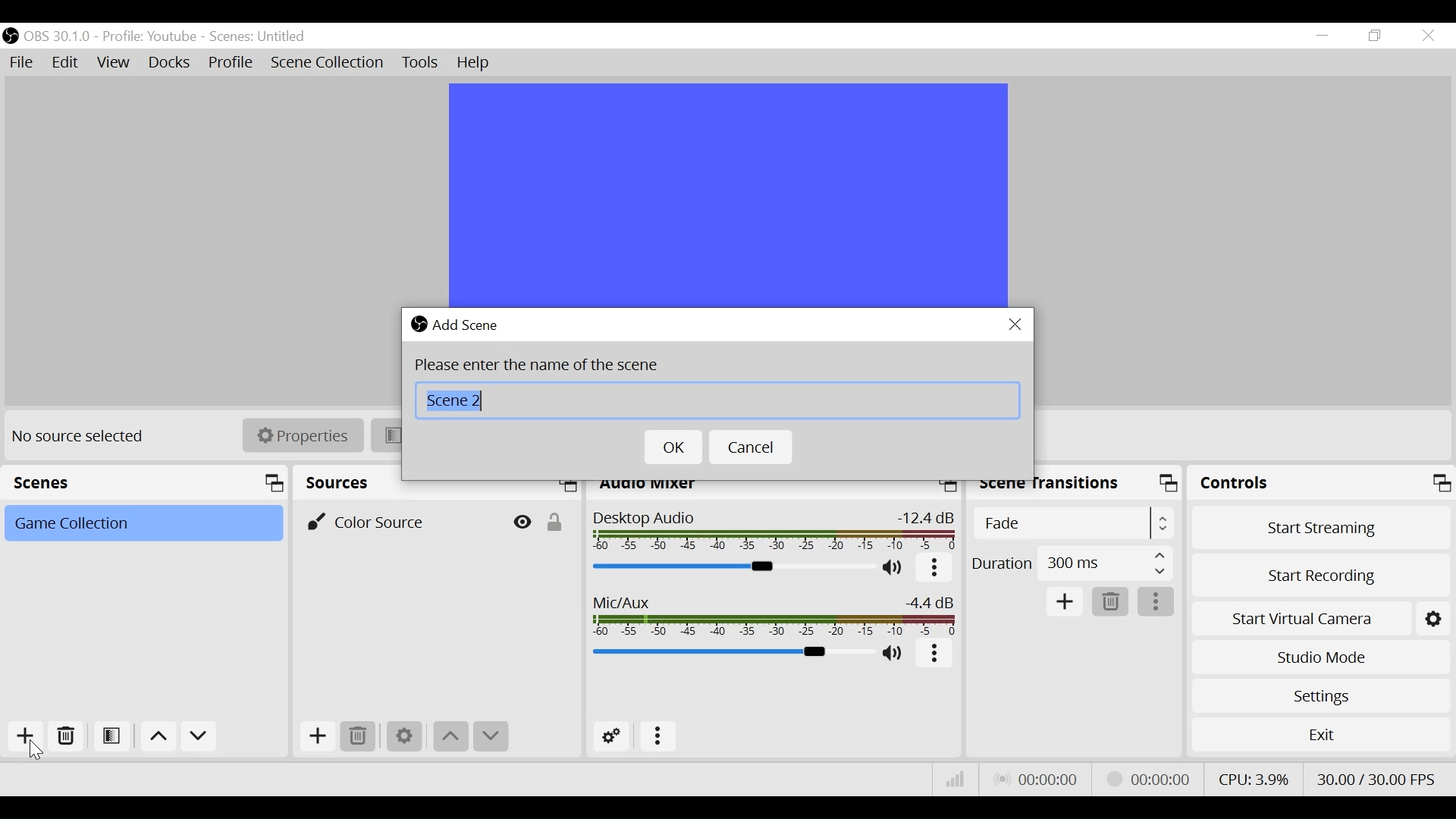  What do you see at coordinates (659, 736) in the screenshot?
I see `more options` at bounding box center [659, 736].